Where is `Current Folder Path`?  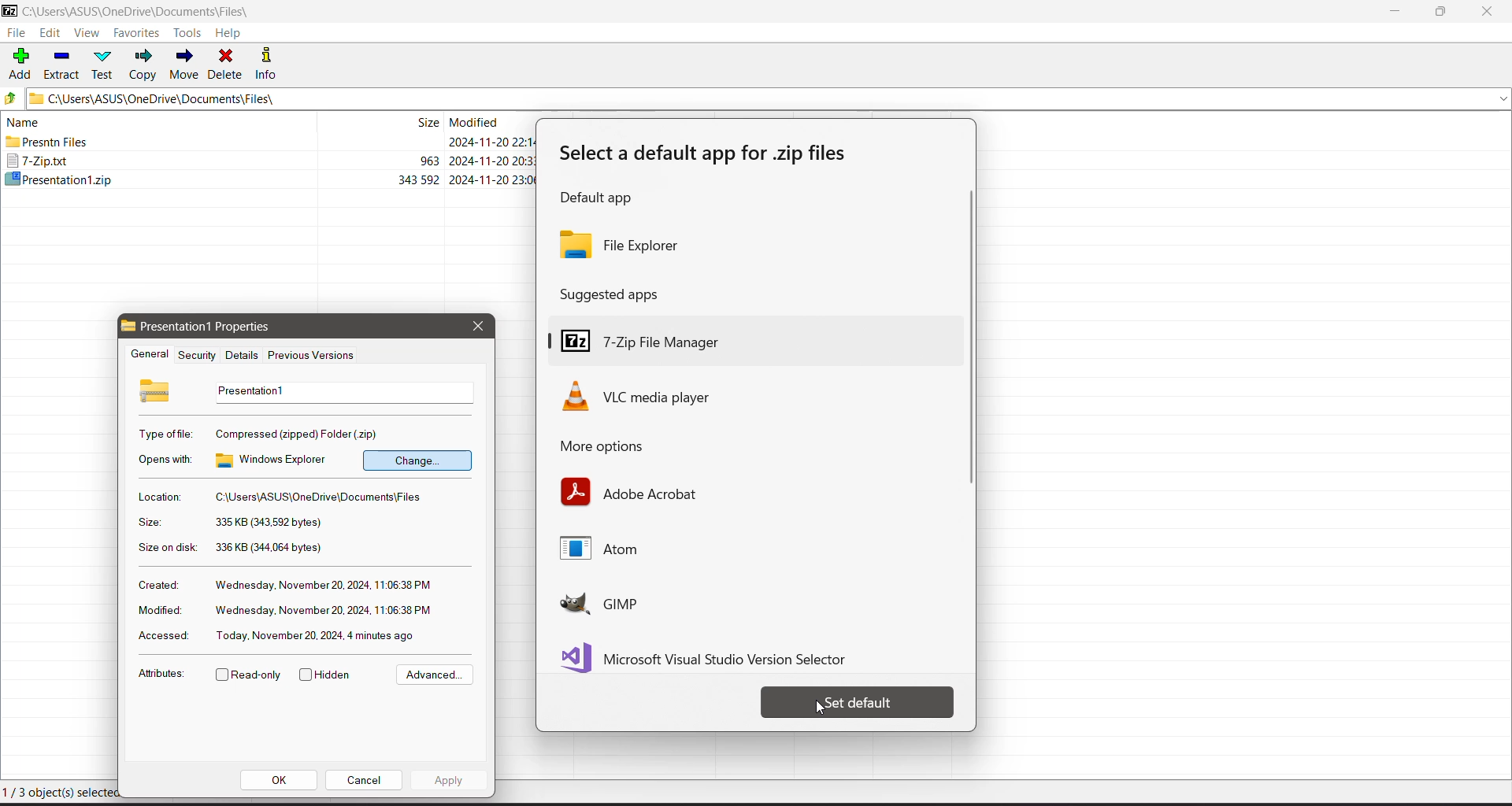 Current Folder Path is located at coordinates (769, 98).